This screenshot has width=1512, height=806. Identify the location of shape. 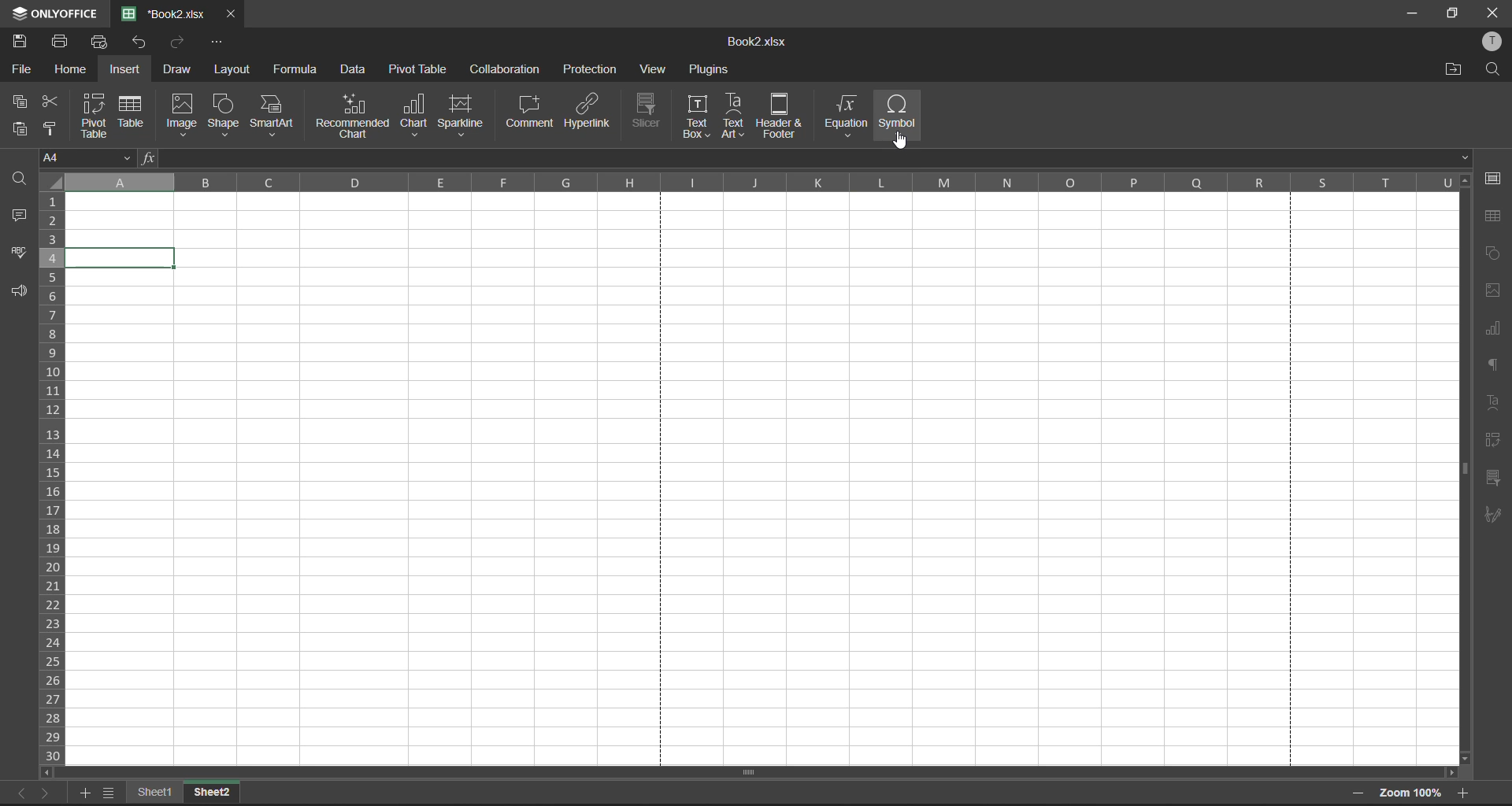
(224, 115).